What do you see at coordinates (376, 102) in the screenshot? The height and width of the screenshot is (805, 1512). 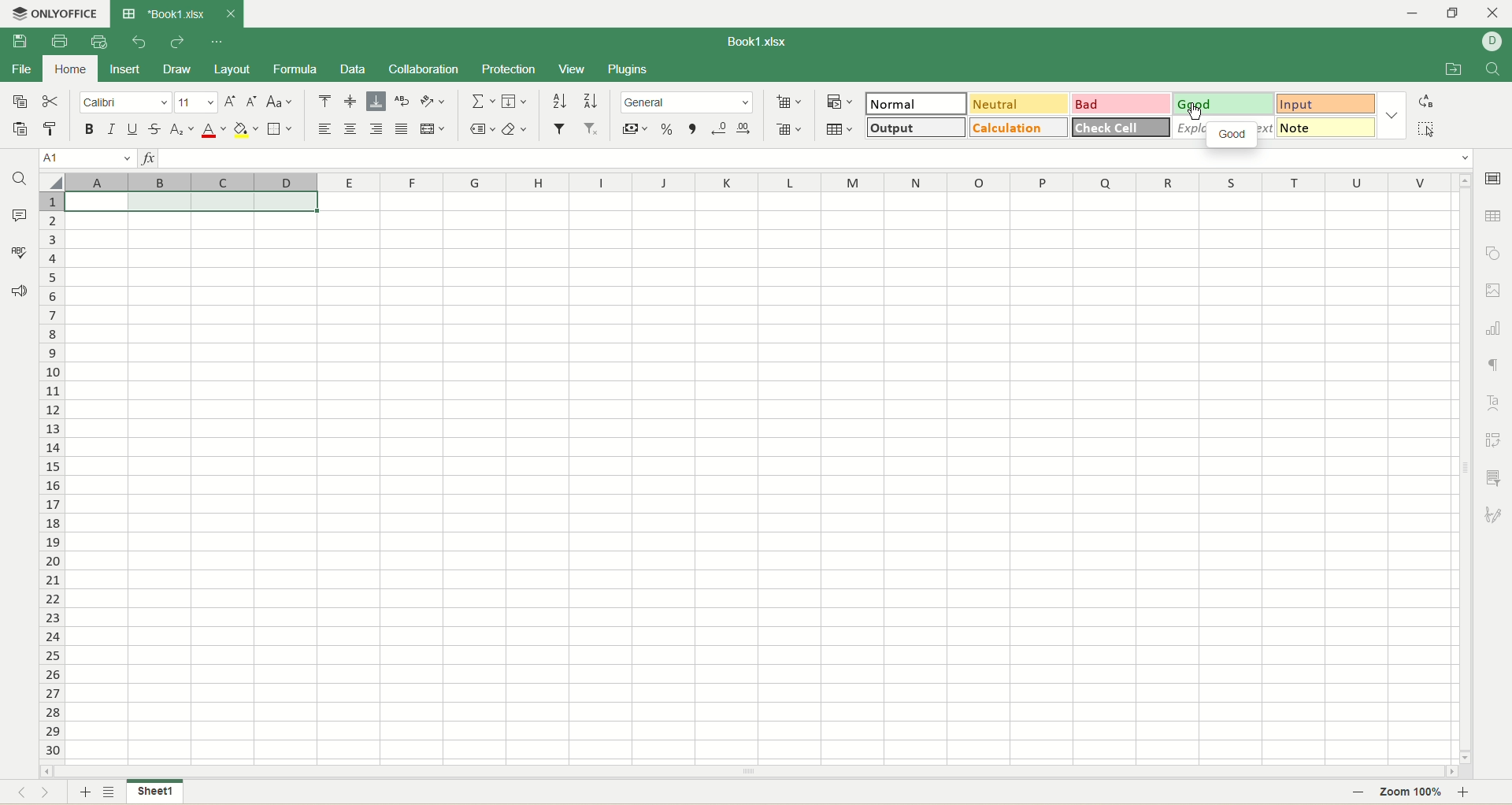 I see `align bottom` at bounding box center [376, 102].